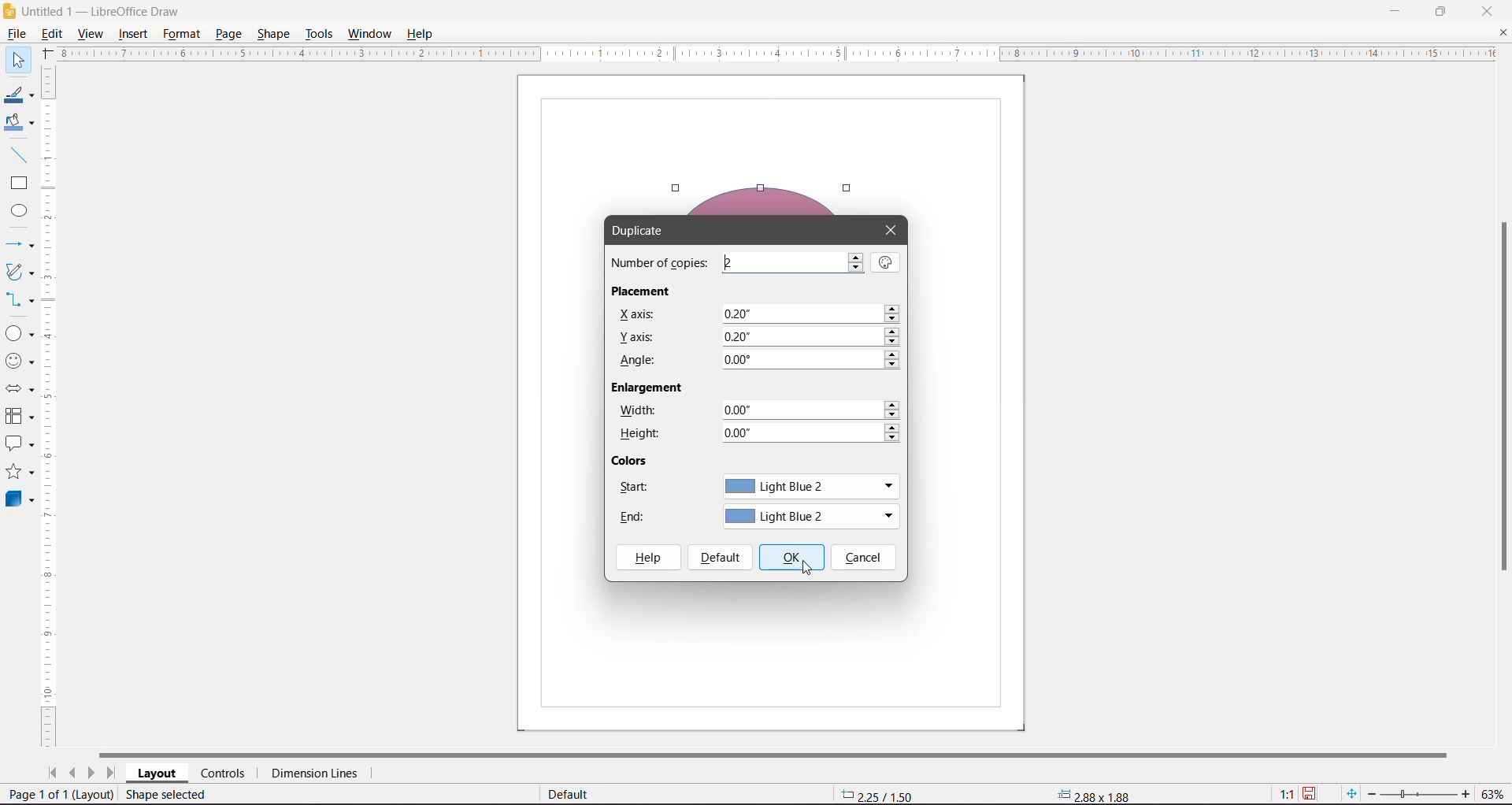 The width and height of the screenshot is (1512, 805). I want to click on OK, so click(793, 557).